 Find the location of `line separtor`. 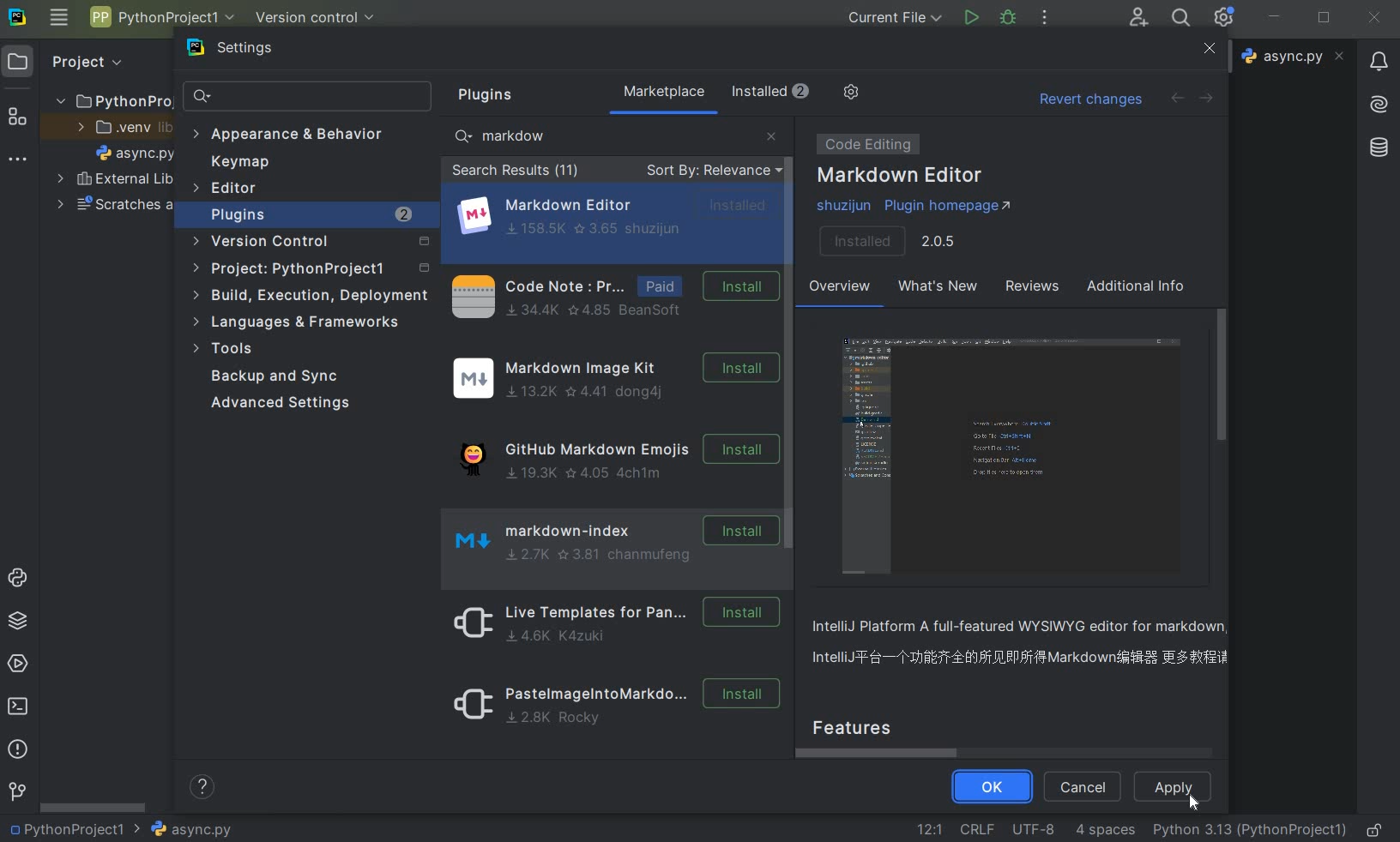

line separtor is located at coordinates (975, 828).